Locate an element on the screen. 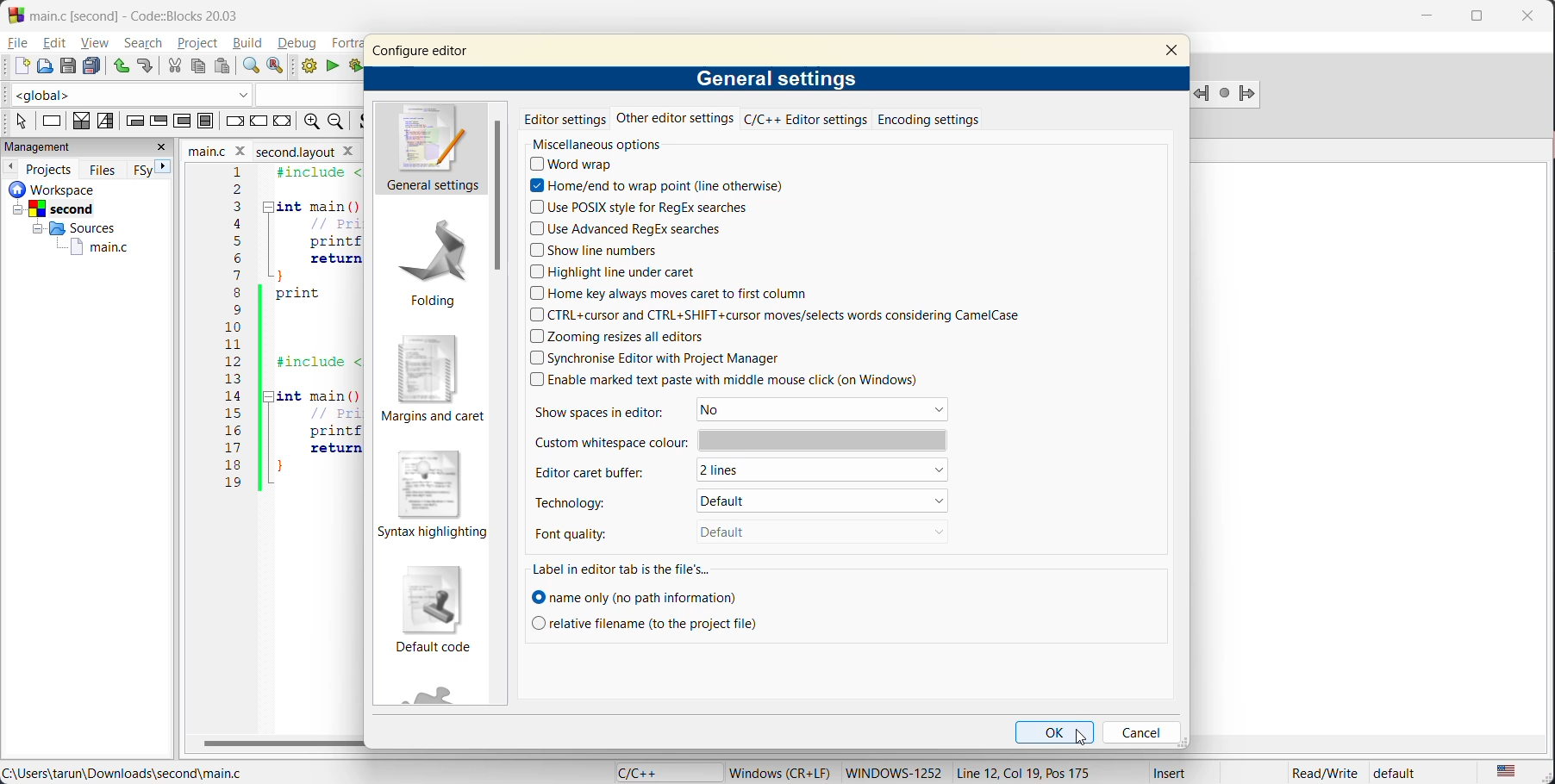 This screenshot has height=784, width=1555. new is located at coordinates (16, 66).